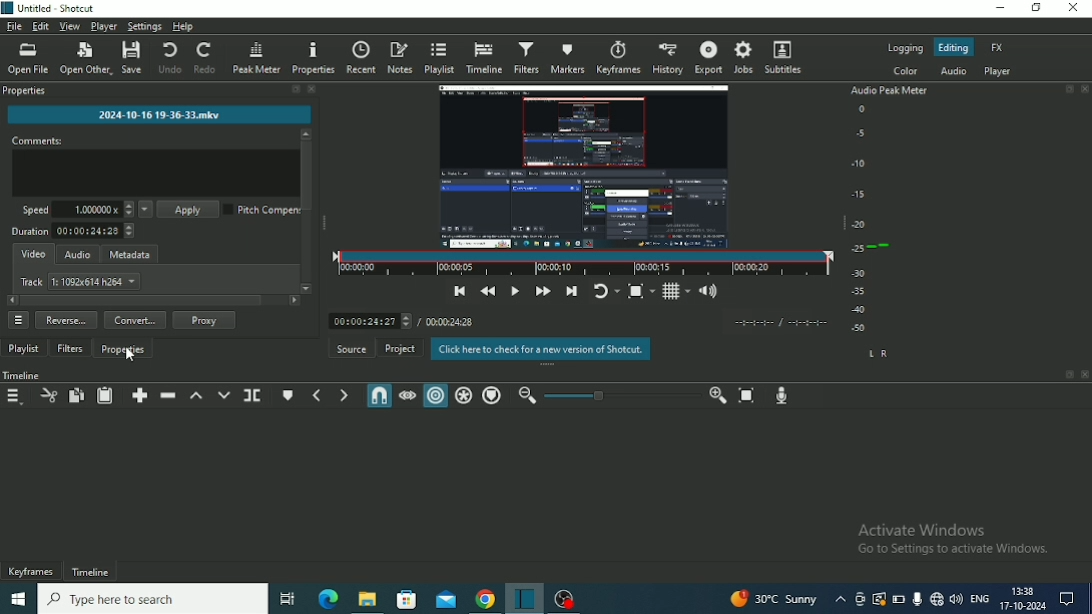 This screenshot has height=614, width=1092. Describe the element at coordinates (515, 291) in the screenshot. I see `Toggle play or pause` at that location.